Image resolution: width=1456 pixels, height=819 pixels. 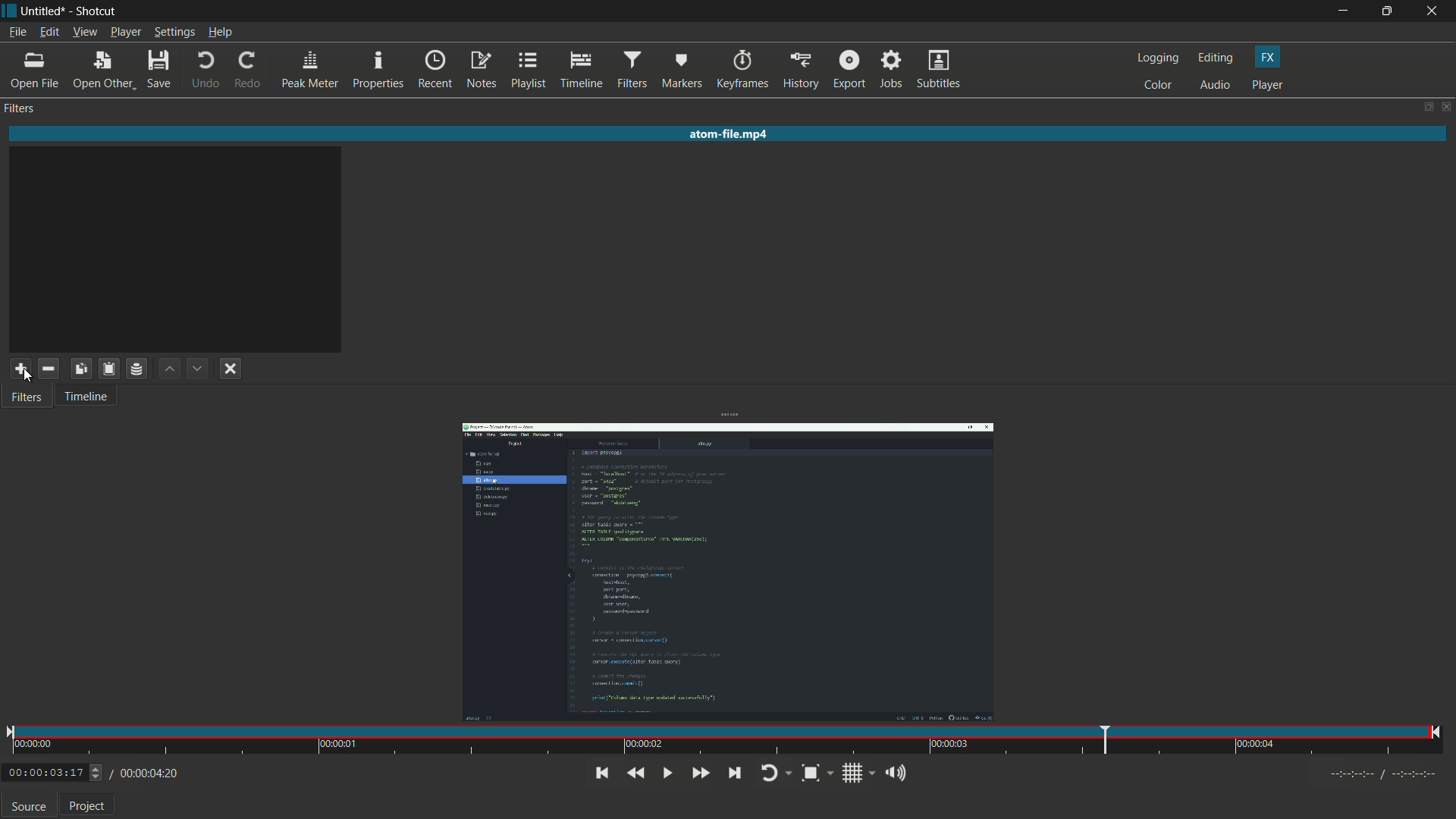 I want to click on move filter up, so click(x=171, y=370).